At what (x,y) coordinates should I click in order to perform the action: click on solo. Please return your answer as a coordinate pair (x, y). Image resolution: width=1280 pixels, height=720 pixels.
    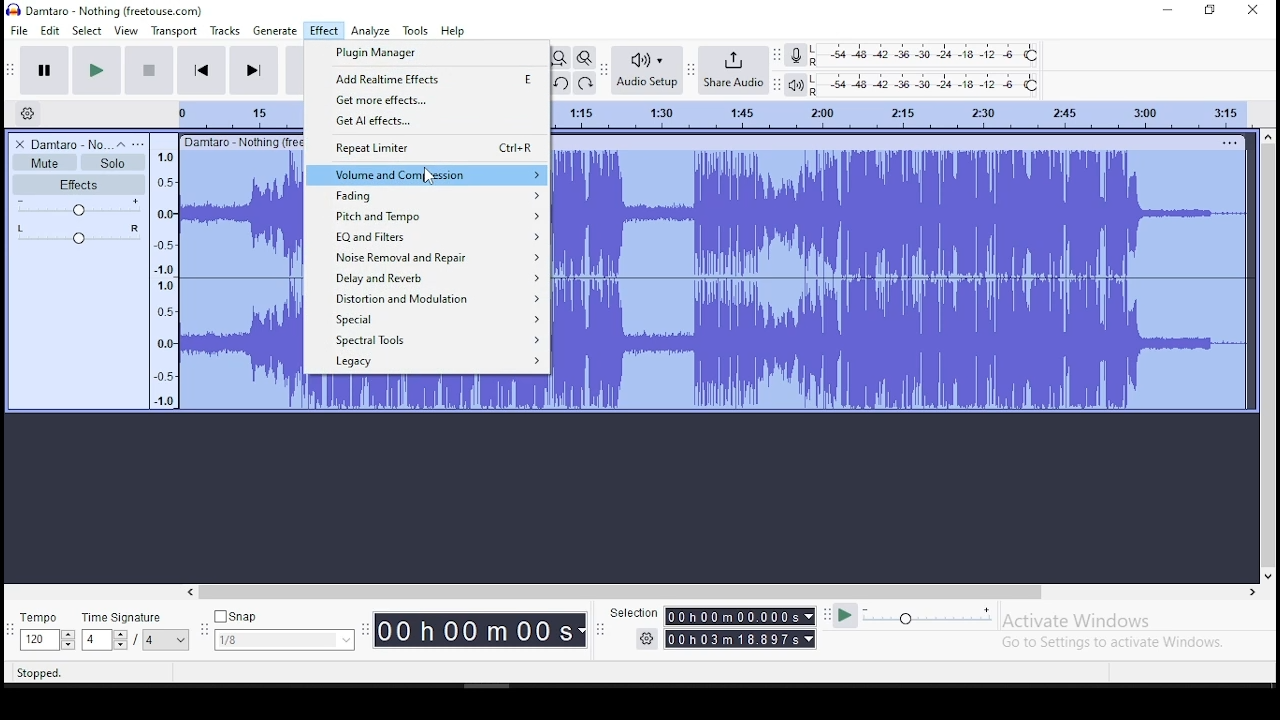
    Looking at the image, I should click on (113, 163).